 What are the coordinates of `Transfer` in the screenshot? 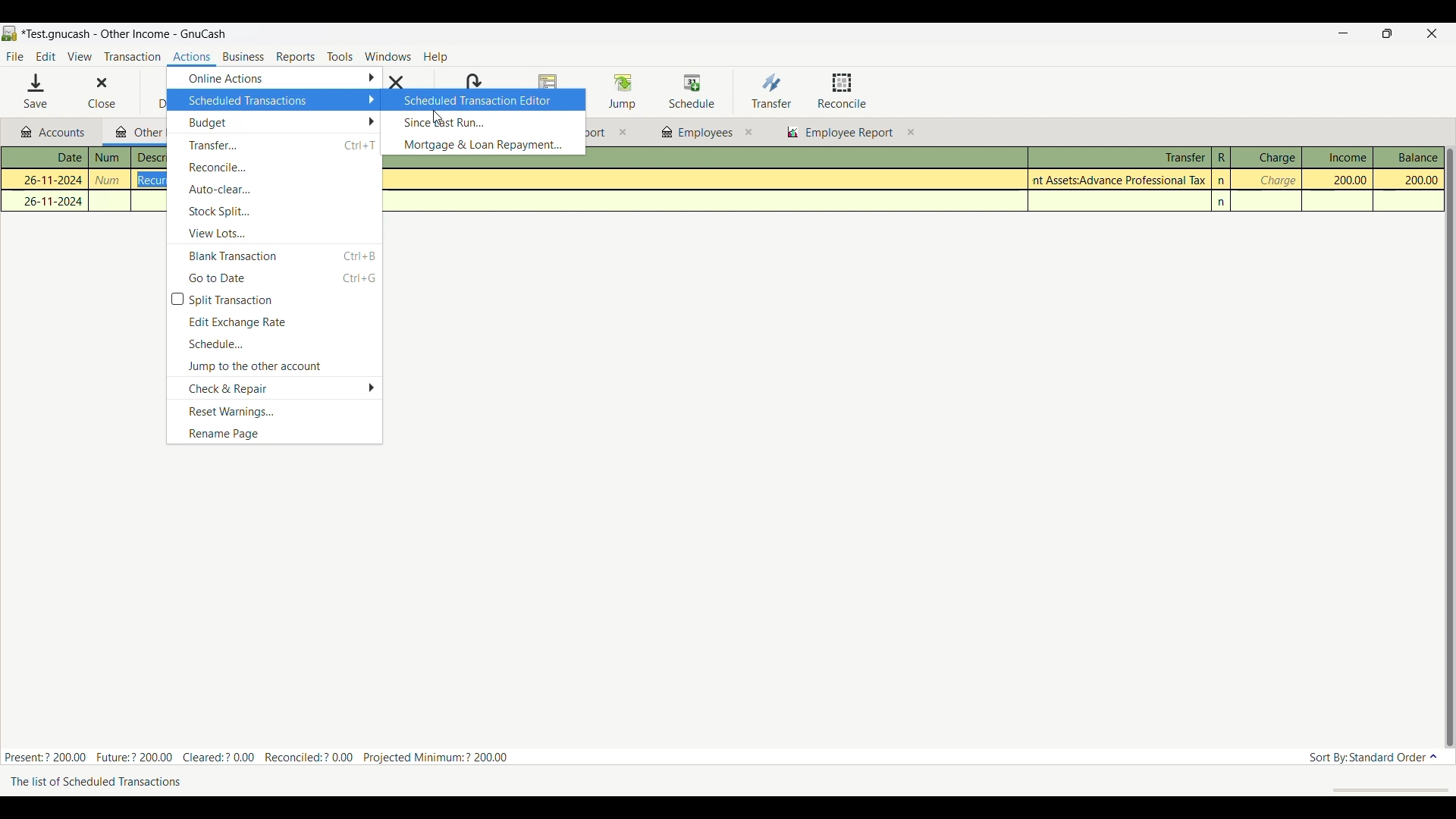 It's located at (275, 146).